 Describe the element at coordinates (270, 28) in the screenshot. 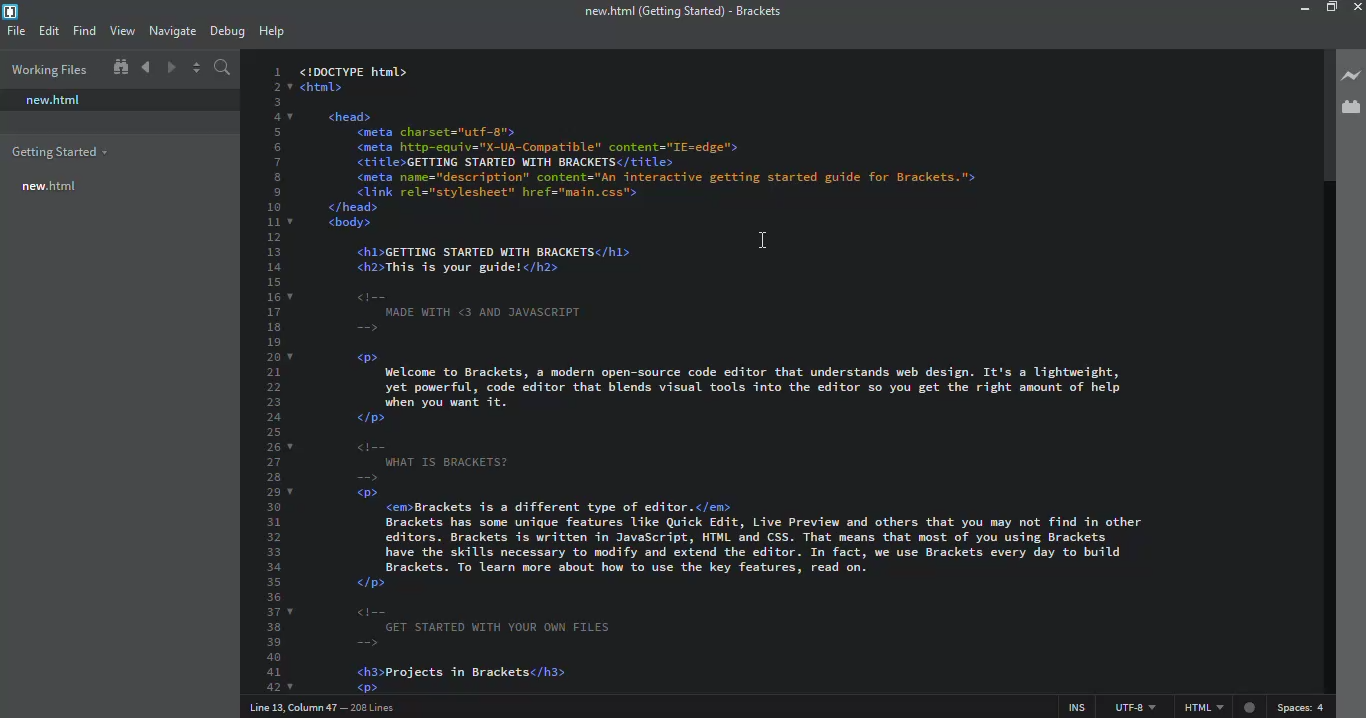

I see `help` at that location.